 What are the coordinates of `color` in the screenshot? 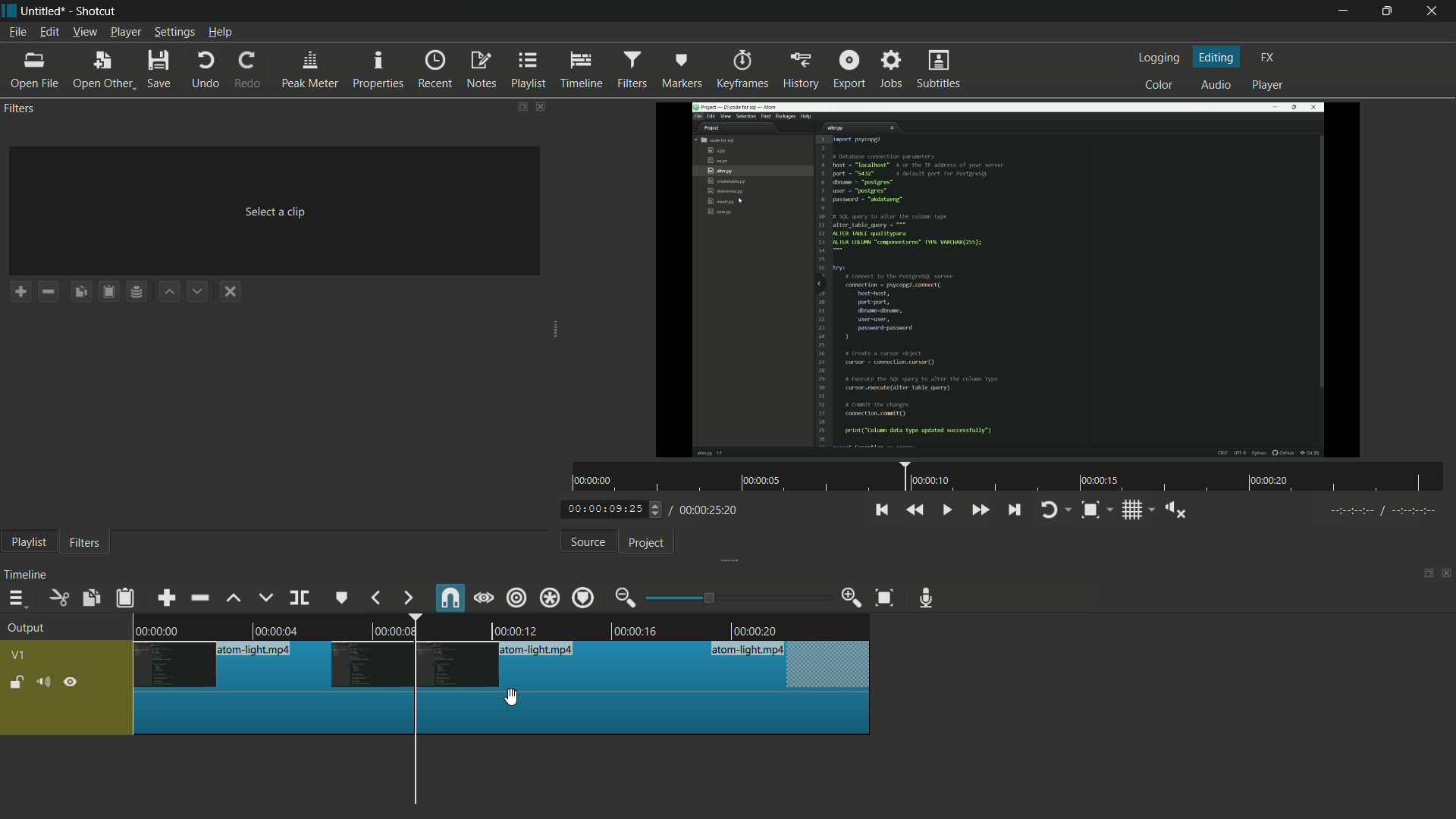 It's located at (1159, 83).